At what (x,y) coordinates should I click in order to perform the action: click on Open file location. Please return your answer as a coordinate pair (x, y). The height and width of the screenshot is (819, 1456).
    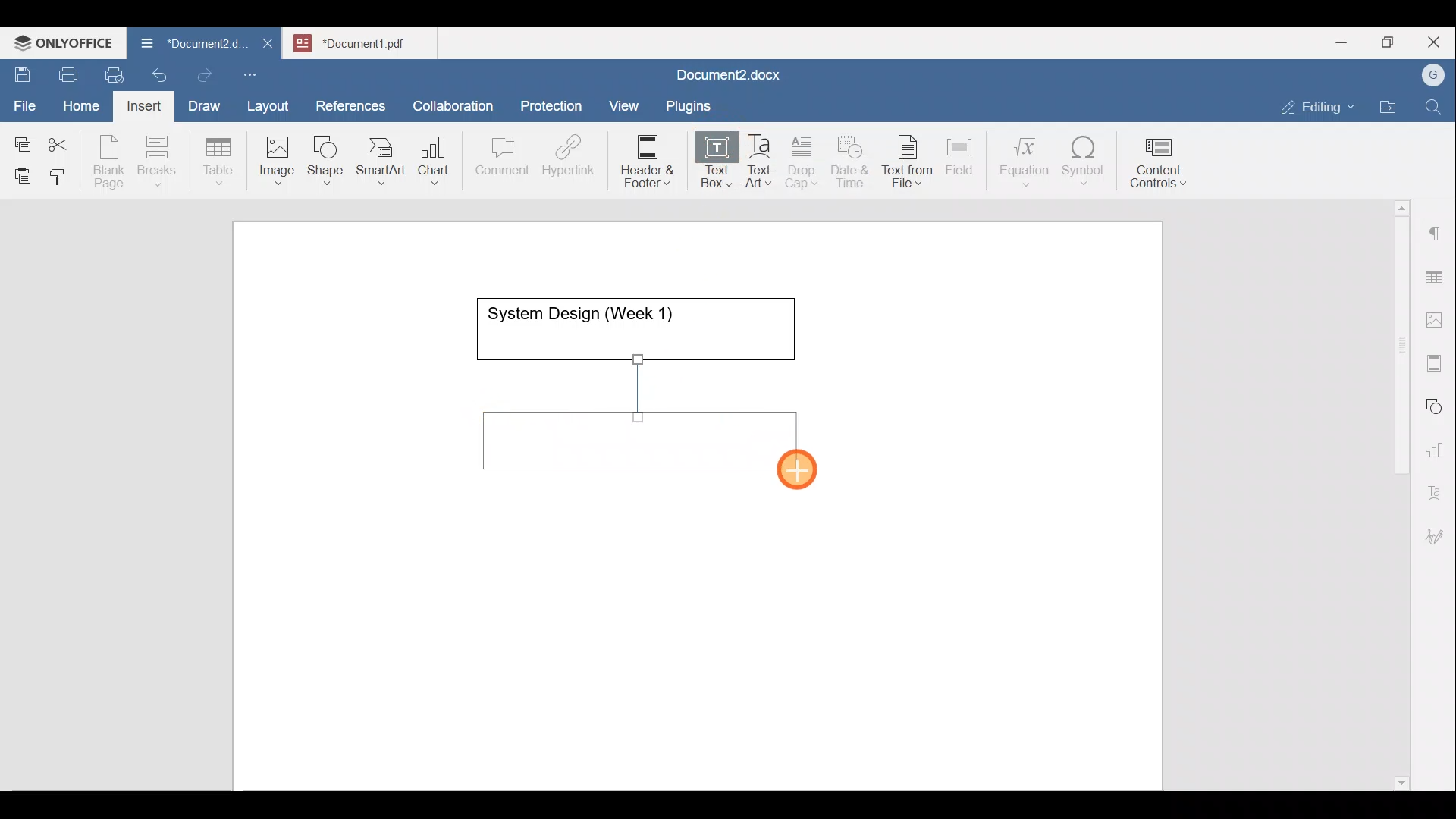
    Looking at the image, I should click on (1392, 108).